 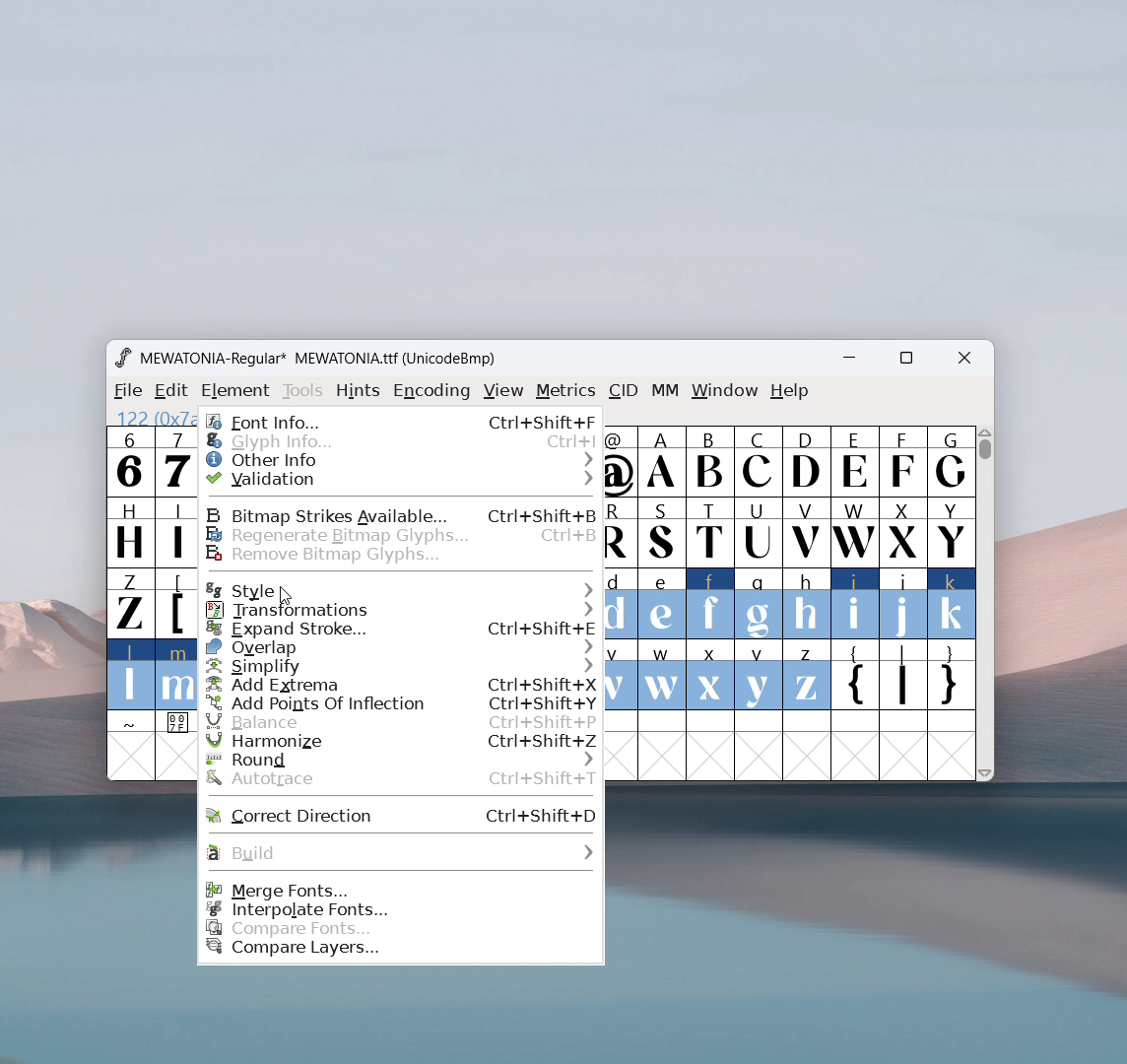 What do you see at coordinates (964, 359) in the screenshot?
I see `close` at bounding box center [964, 359].